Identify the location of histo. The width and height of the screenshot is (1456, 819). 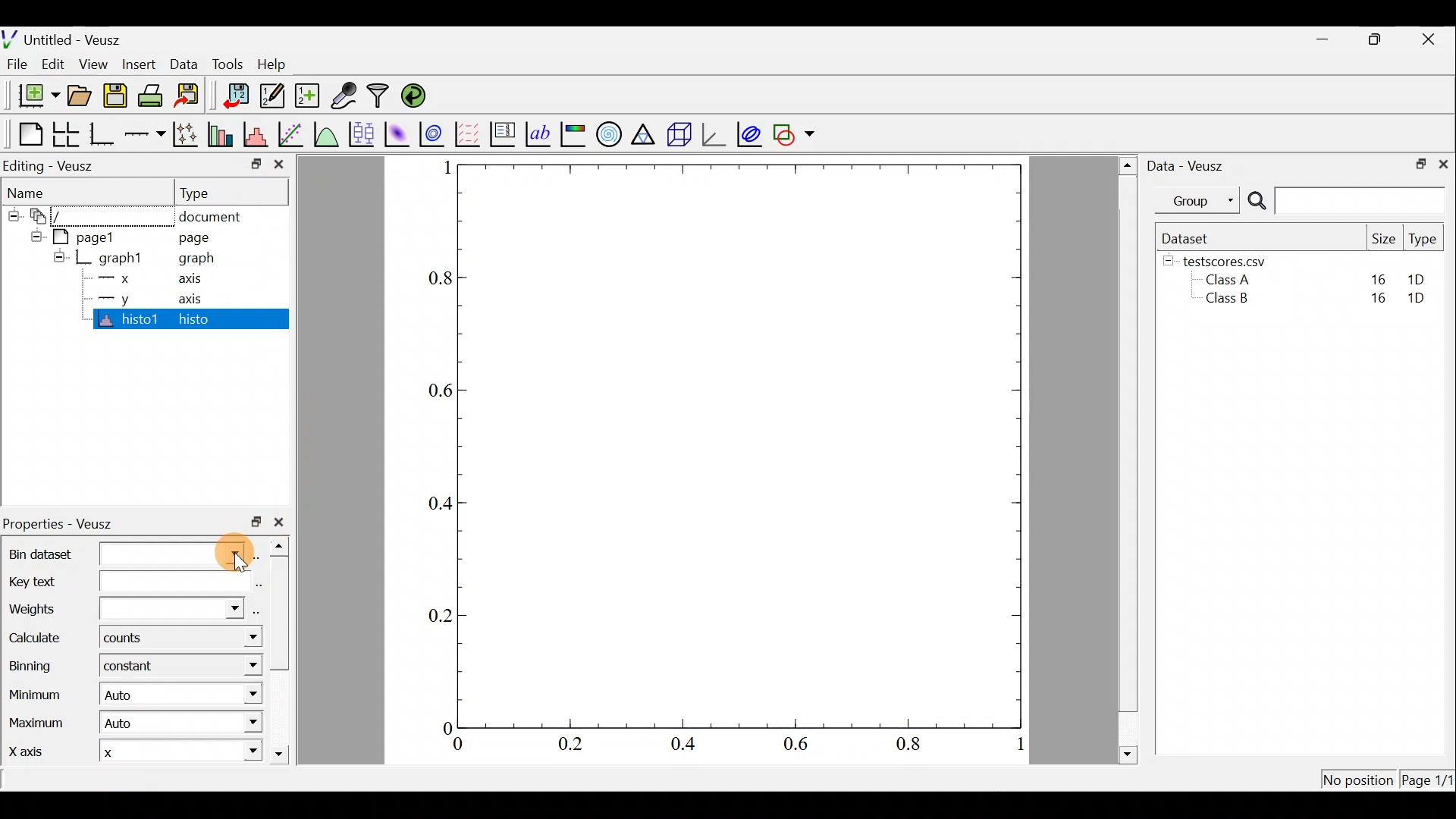
(194, 320).